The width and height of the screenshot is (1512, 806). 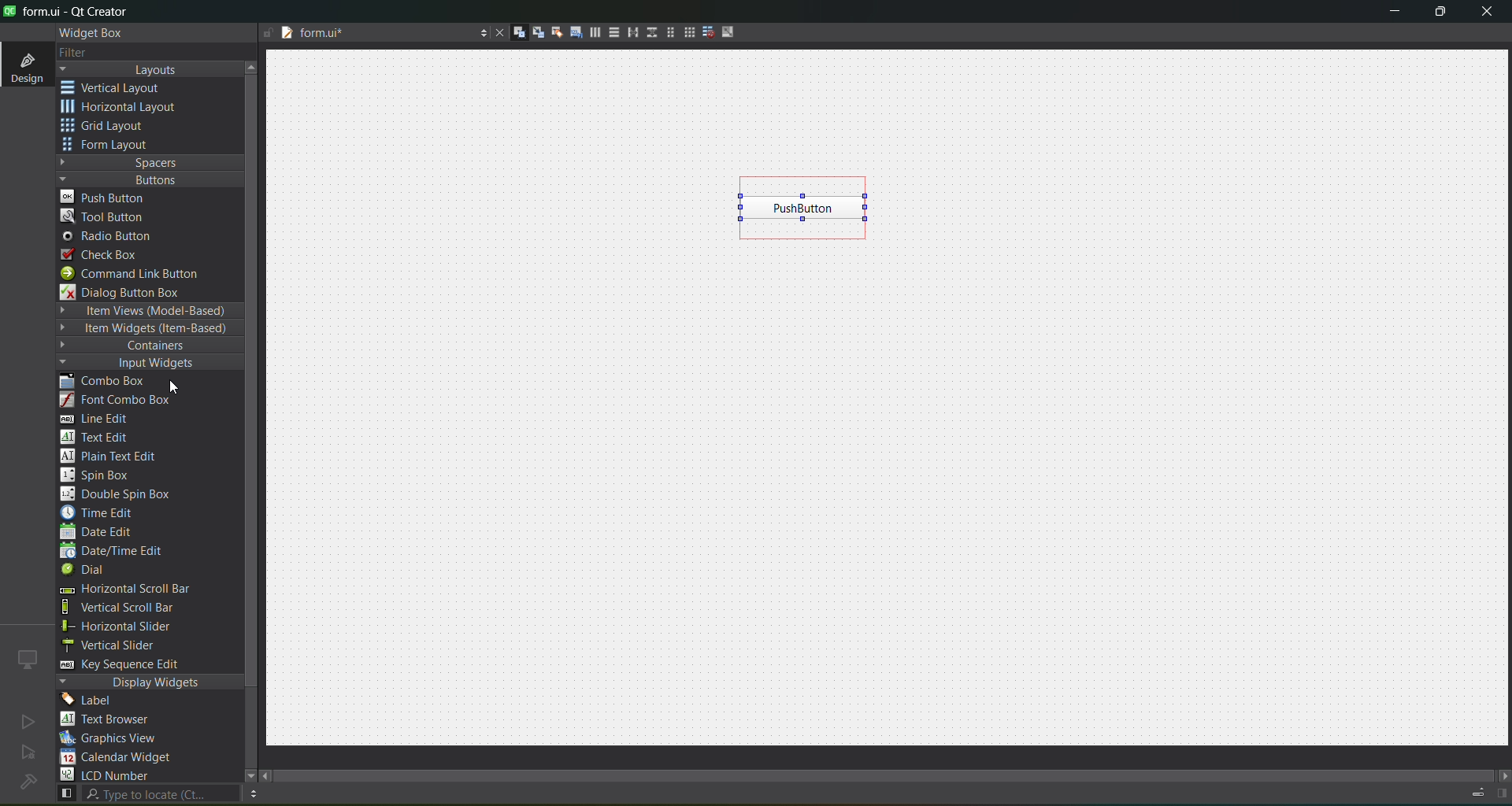 I want to click on scroll bar, so click(x=896, y=771).